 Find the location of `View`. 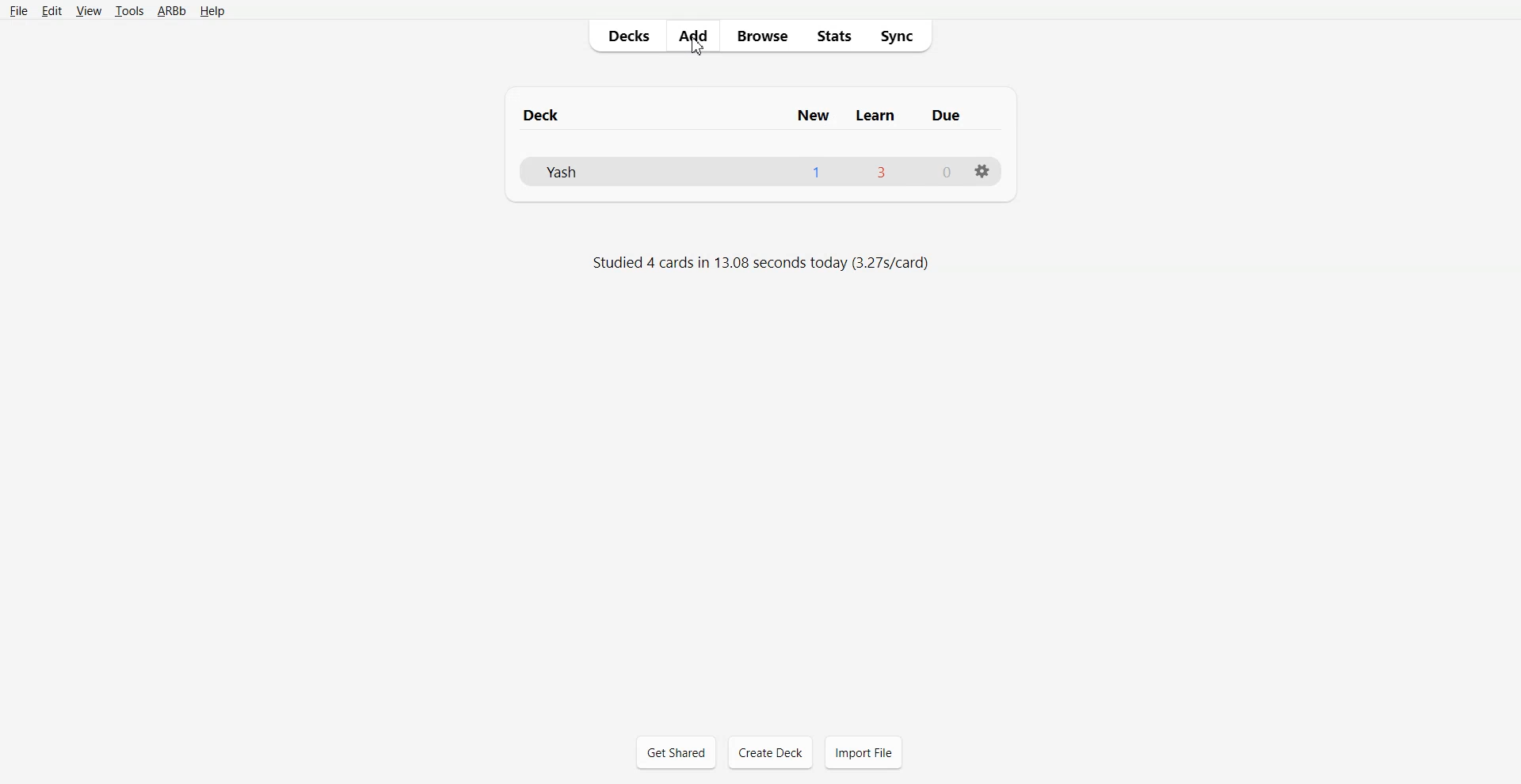

View is located at coordinates (87, 10).